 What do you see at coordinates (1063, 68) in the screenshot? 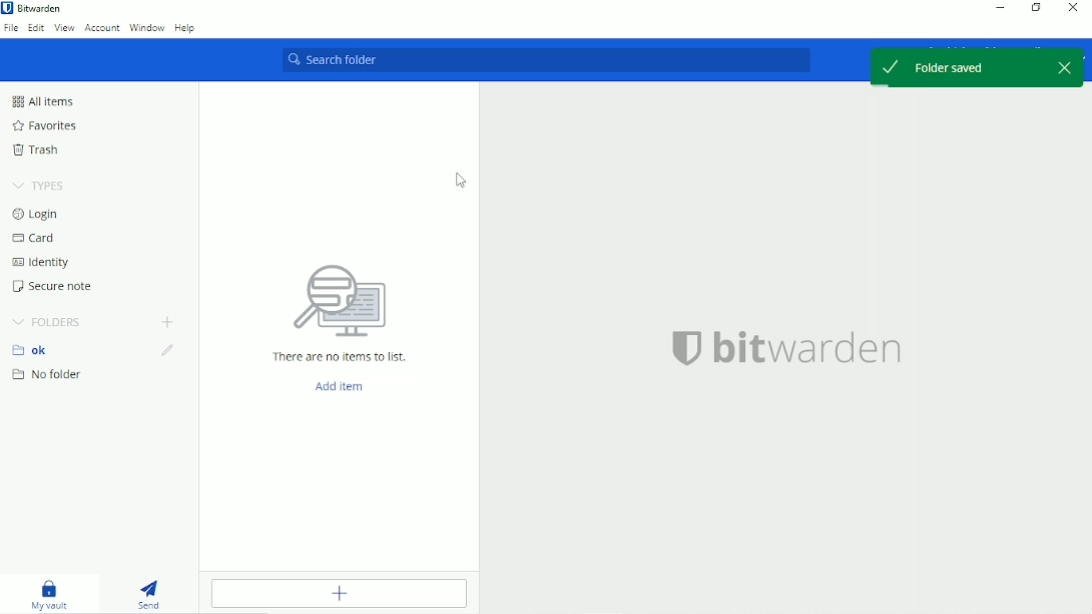
I see `close popup` at bounding box center [1063, 68].